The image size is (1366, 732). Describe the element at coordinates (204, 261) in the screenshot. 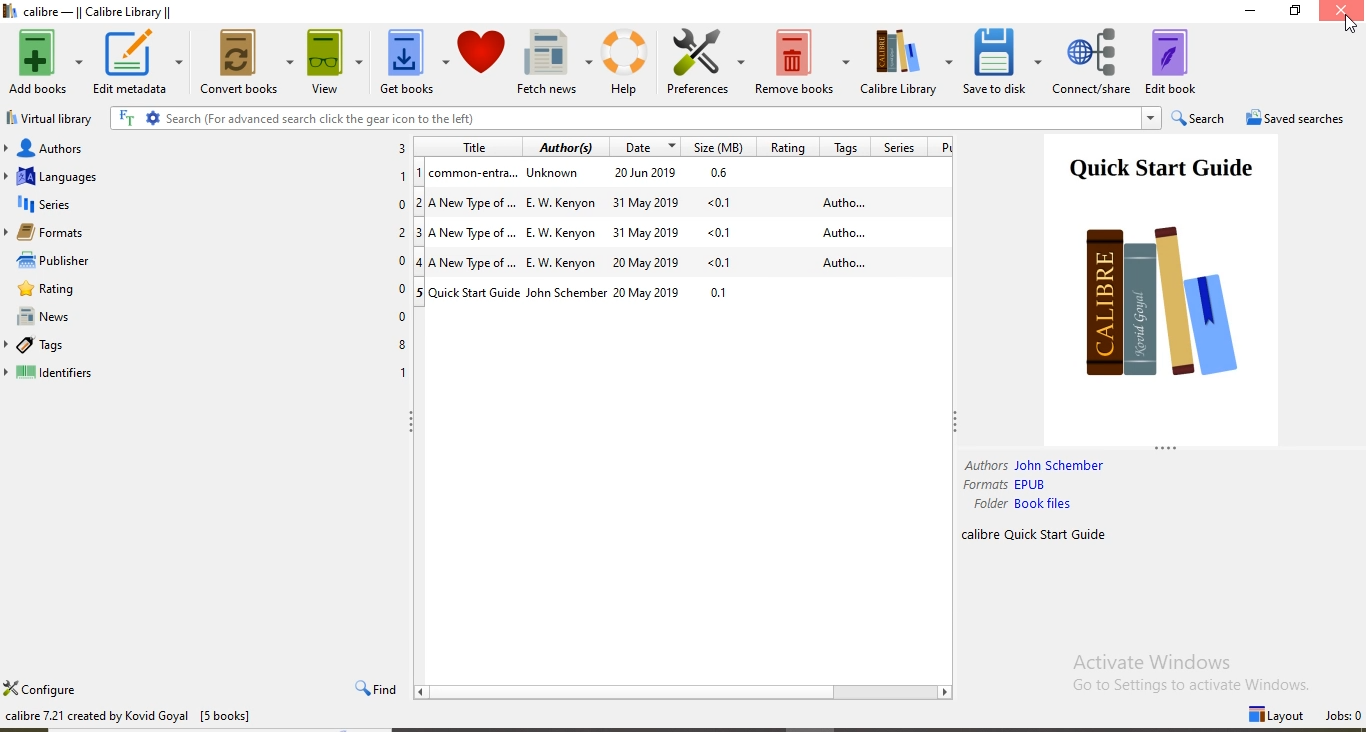

I see `Publisher` at that location.